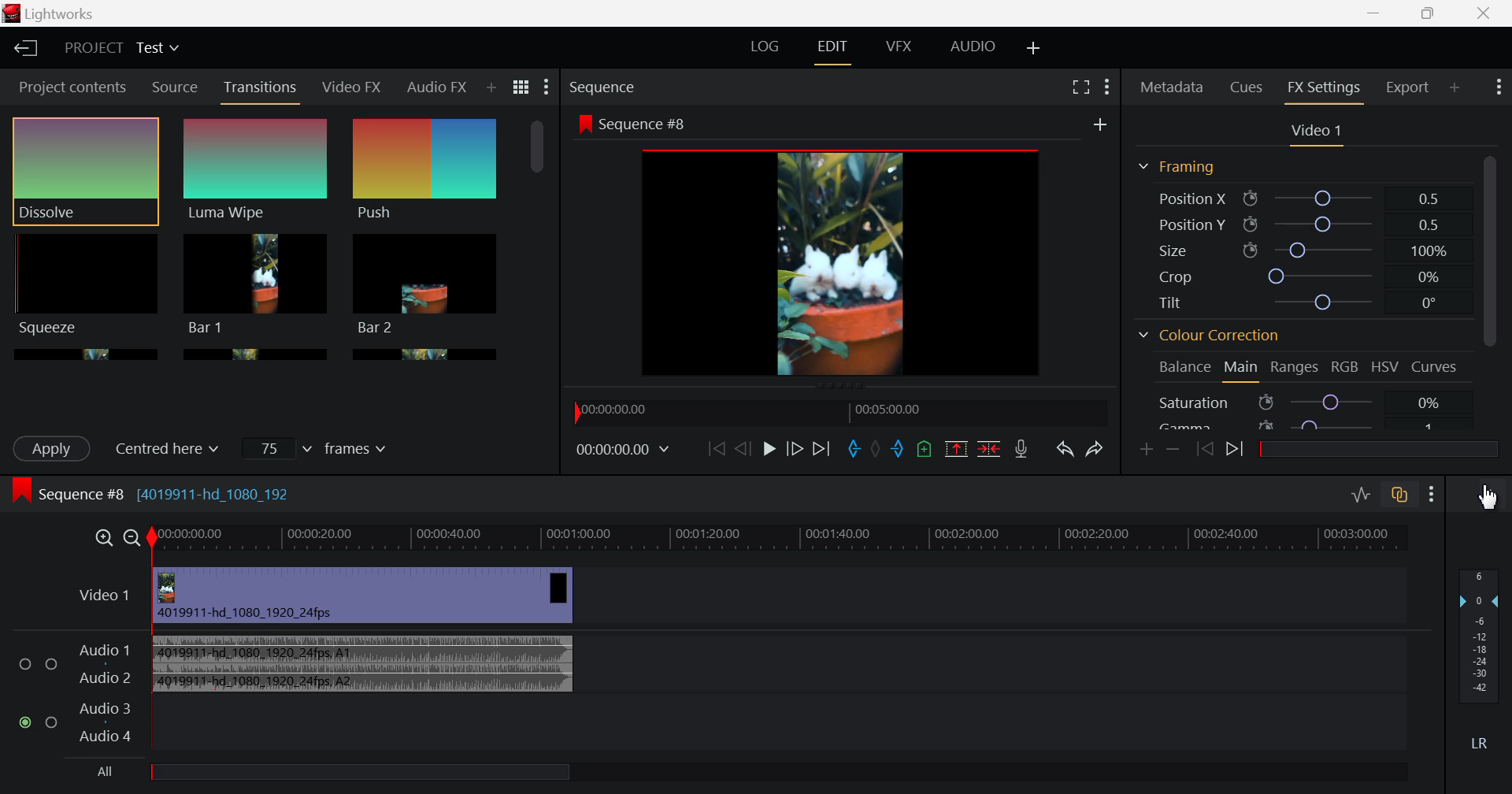 The width and height of the screenshot is (1512, 794). What do you see at coordinates (1300, 247) in the screenshot?
I see `Size` at bounding box center [1300, 247].